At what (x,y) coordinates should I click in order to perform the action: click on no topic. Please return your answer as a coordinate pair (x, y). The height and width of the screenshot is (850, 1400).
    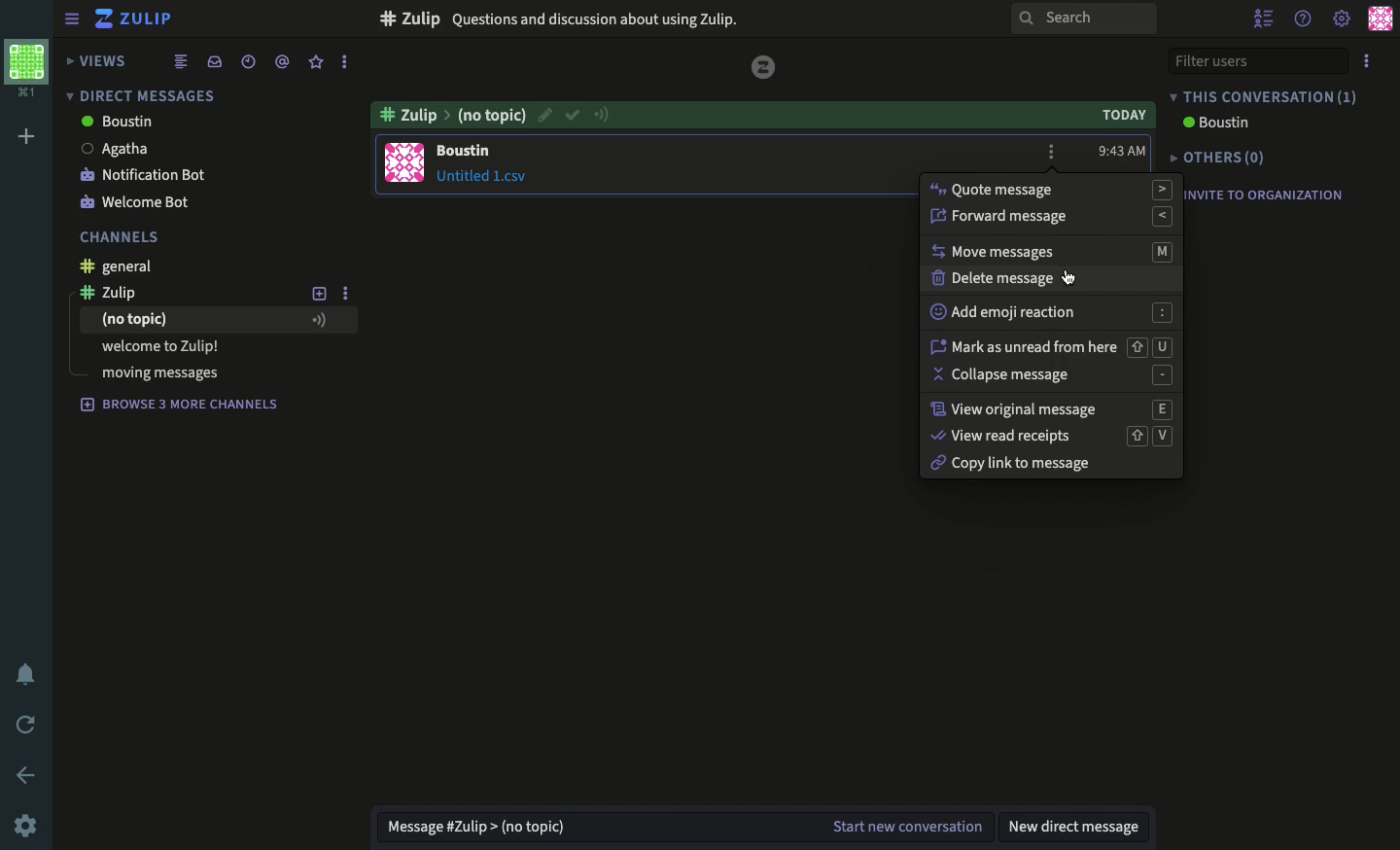
    Looking at the image, I should click on (216, 321).